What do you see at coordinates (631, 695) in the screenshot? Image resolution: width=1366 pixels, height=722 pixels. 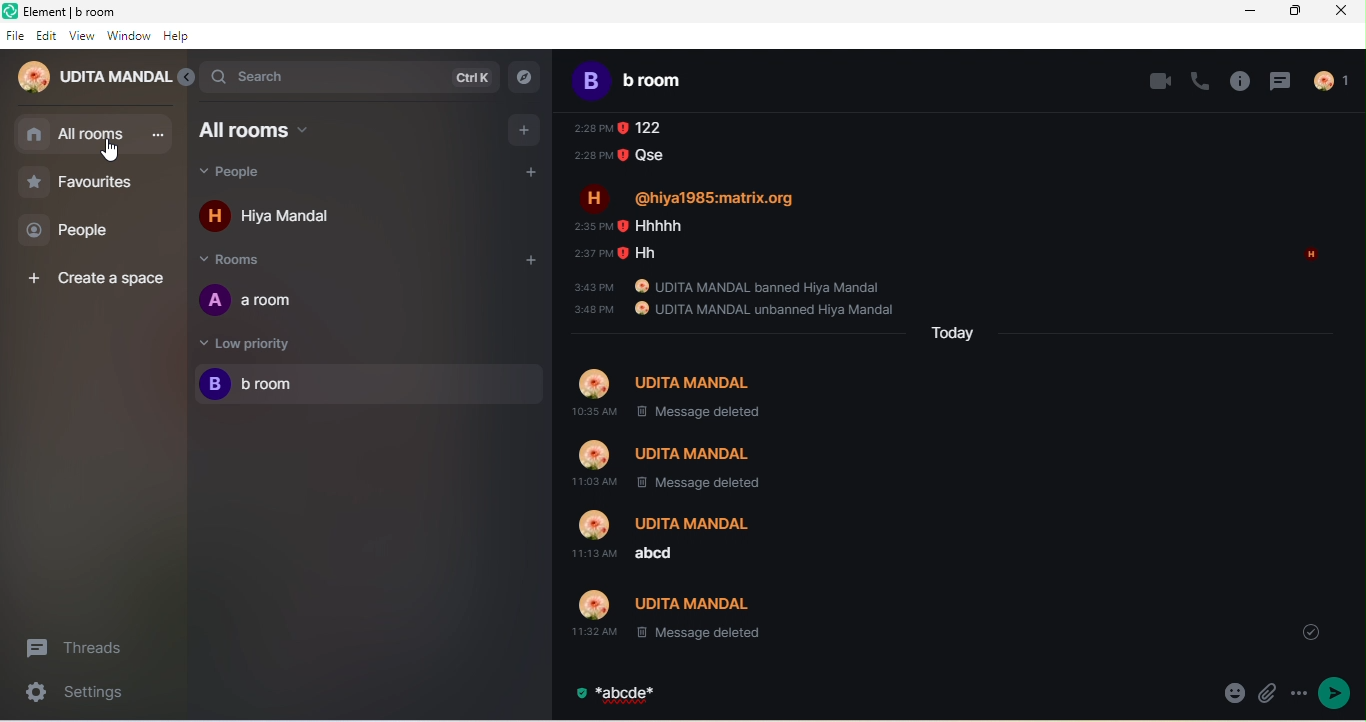 I see `italicized text` at bounding box center [631, 695].